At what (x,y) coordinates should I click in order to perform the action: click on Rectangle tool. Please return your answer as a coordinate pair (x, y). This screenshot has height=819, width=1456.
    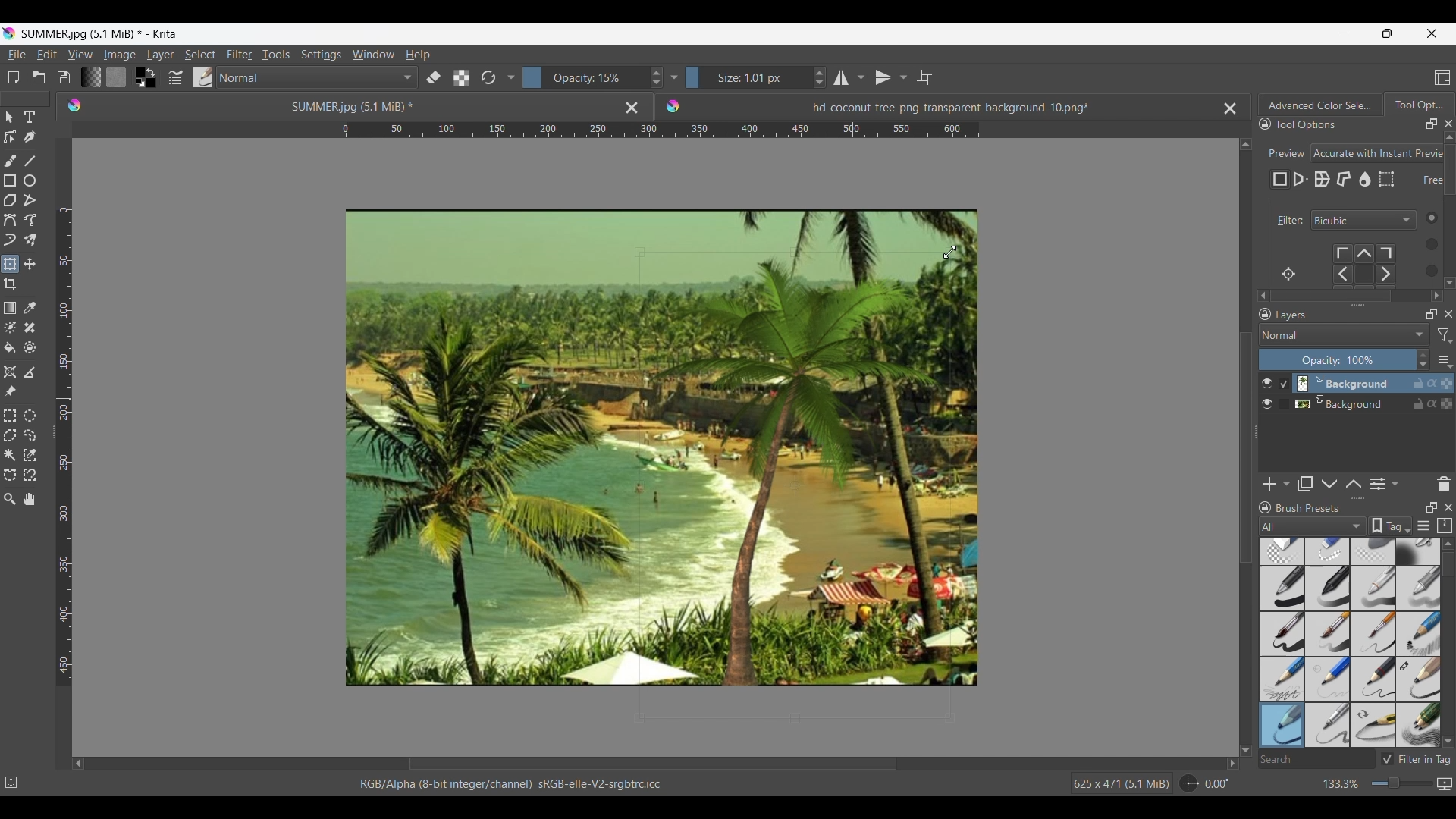
    Looking at the image, I should click on (9, 180).